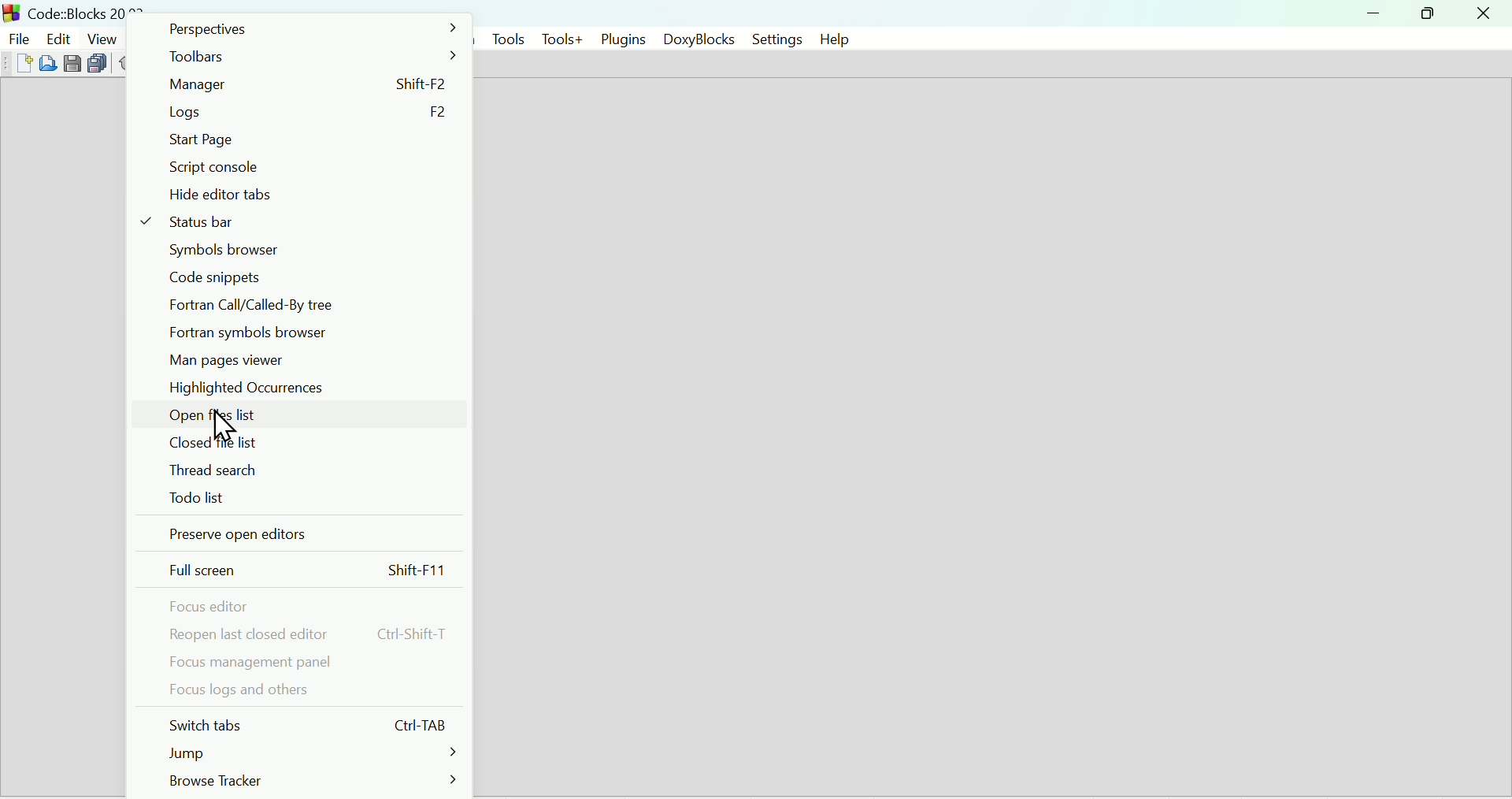  I want to click on edit, so click(57, 36).